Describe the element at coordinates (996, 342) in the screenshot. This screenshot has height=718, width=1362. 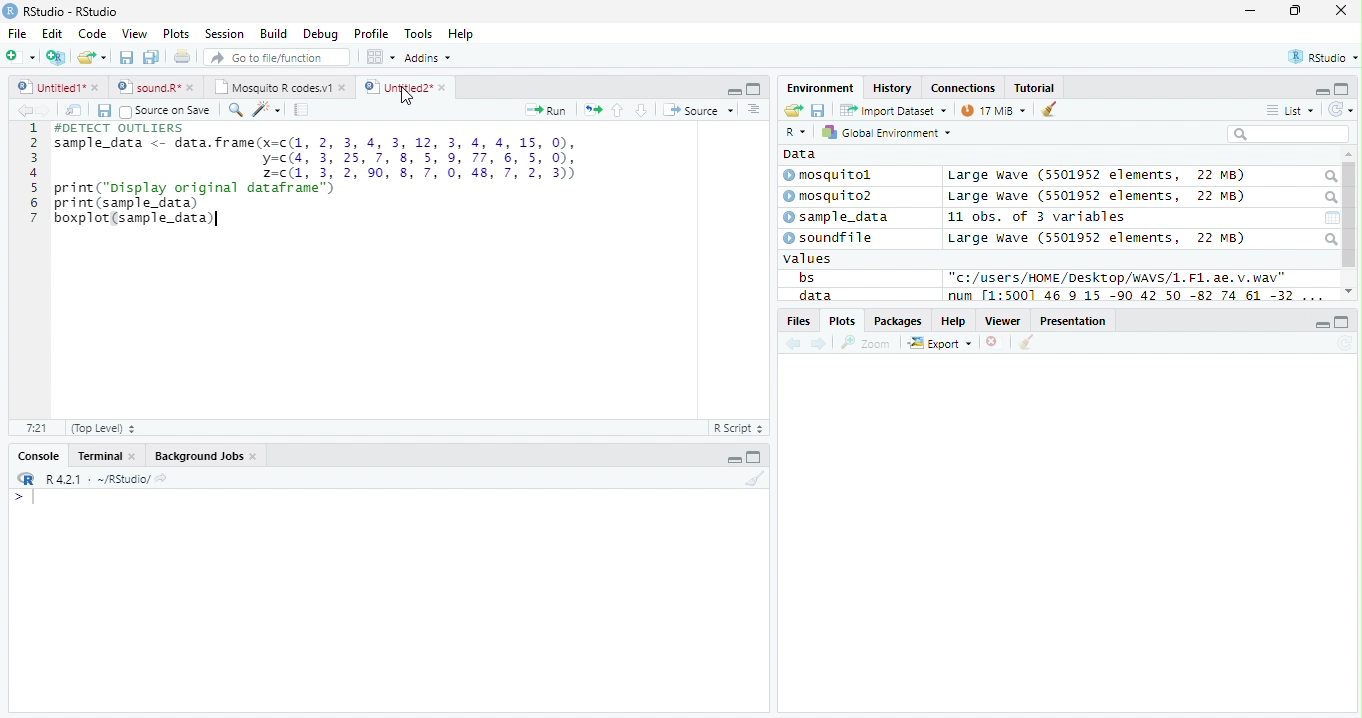
I see `delete file` at that location.